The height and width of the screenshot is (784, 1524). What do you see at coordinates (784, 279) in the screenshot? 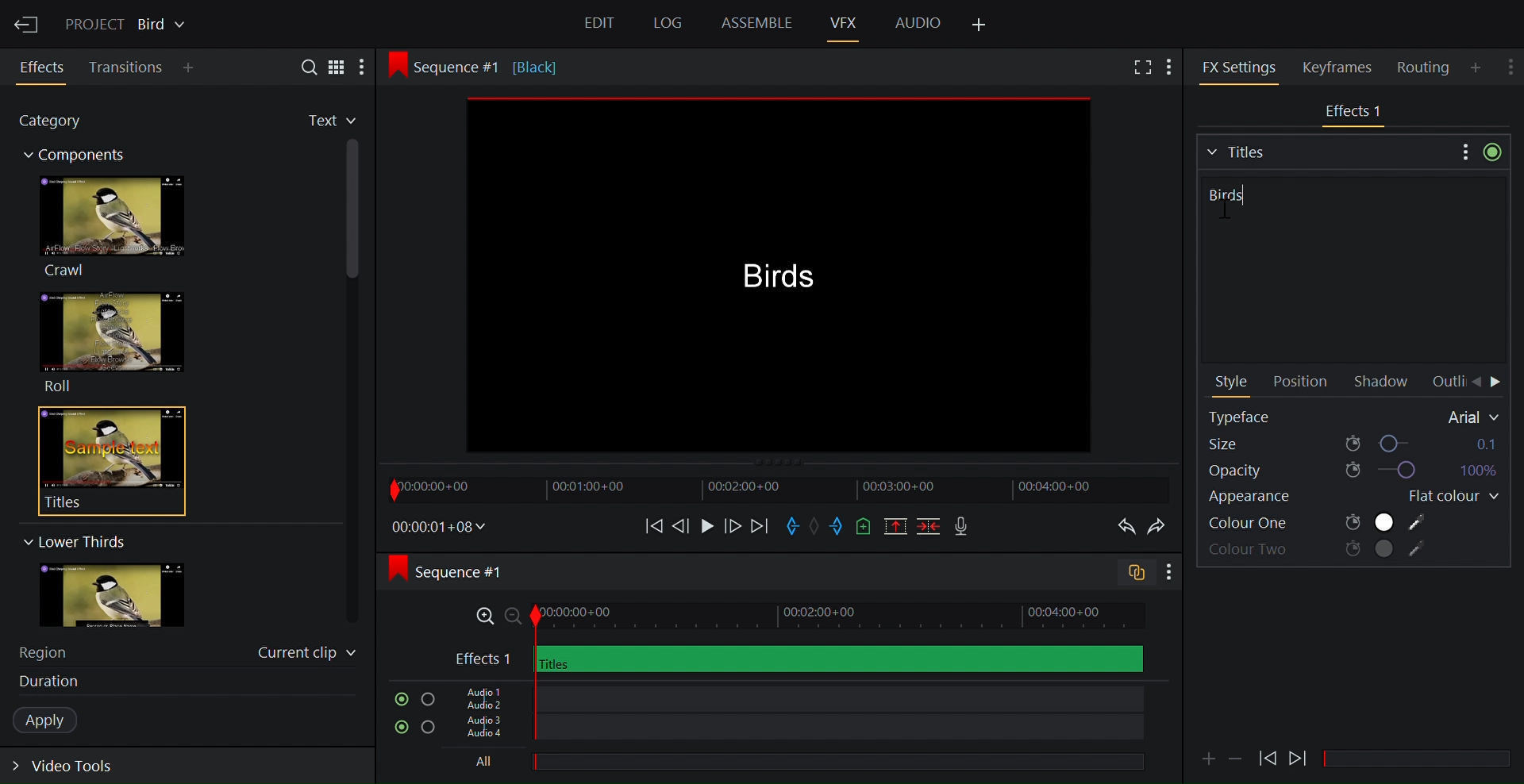
I see `Media Viewer` at bounding box center [784, 279].